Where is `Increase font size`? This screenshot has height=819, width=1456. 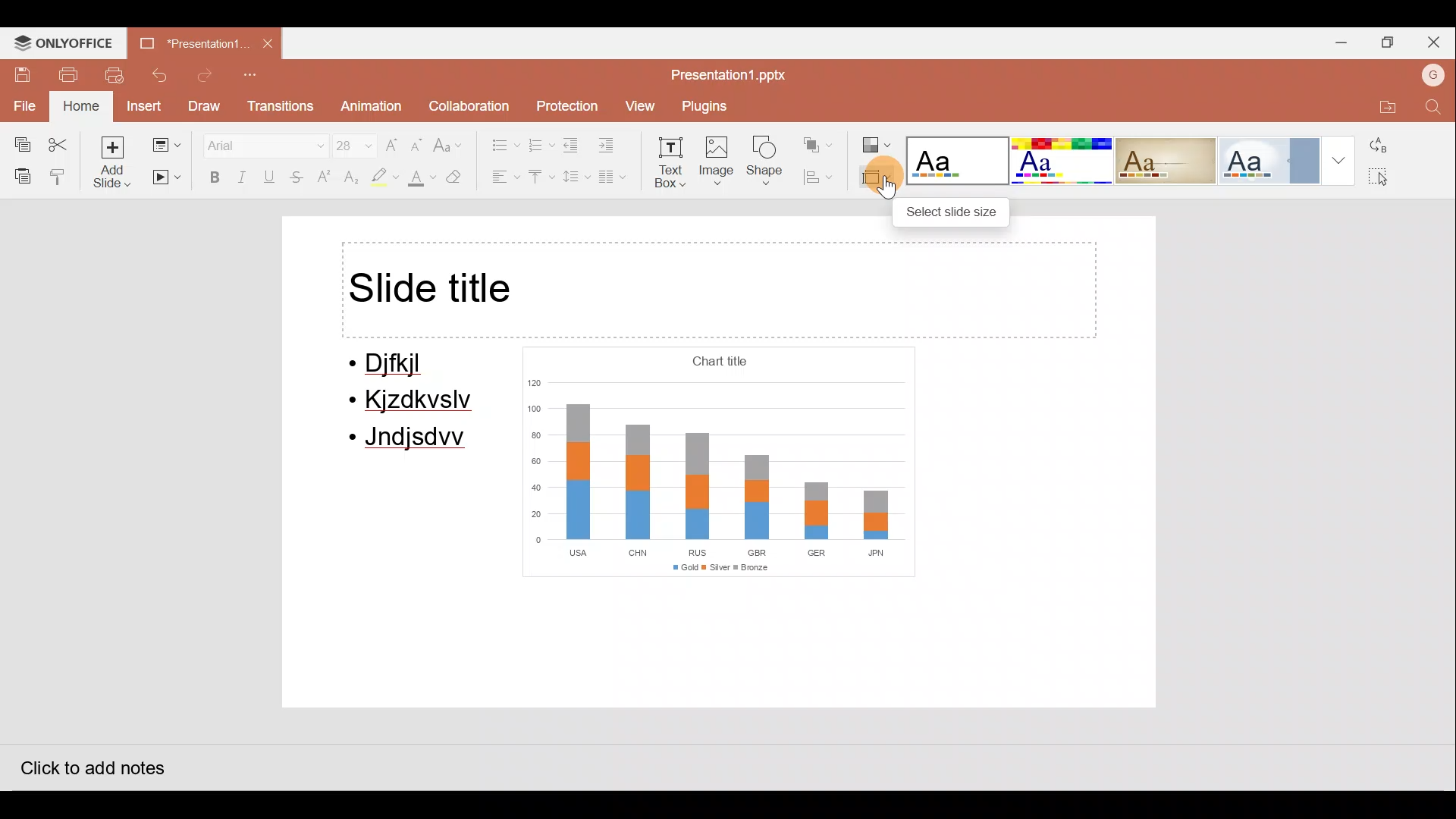
Increase font size is located at coordinates (393, 140).